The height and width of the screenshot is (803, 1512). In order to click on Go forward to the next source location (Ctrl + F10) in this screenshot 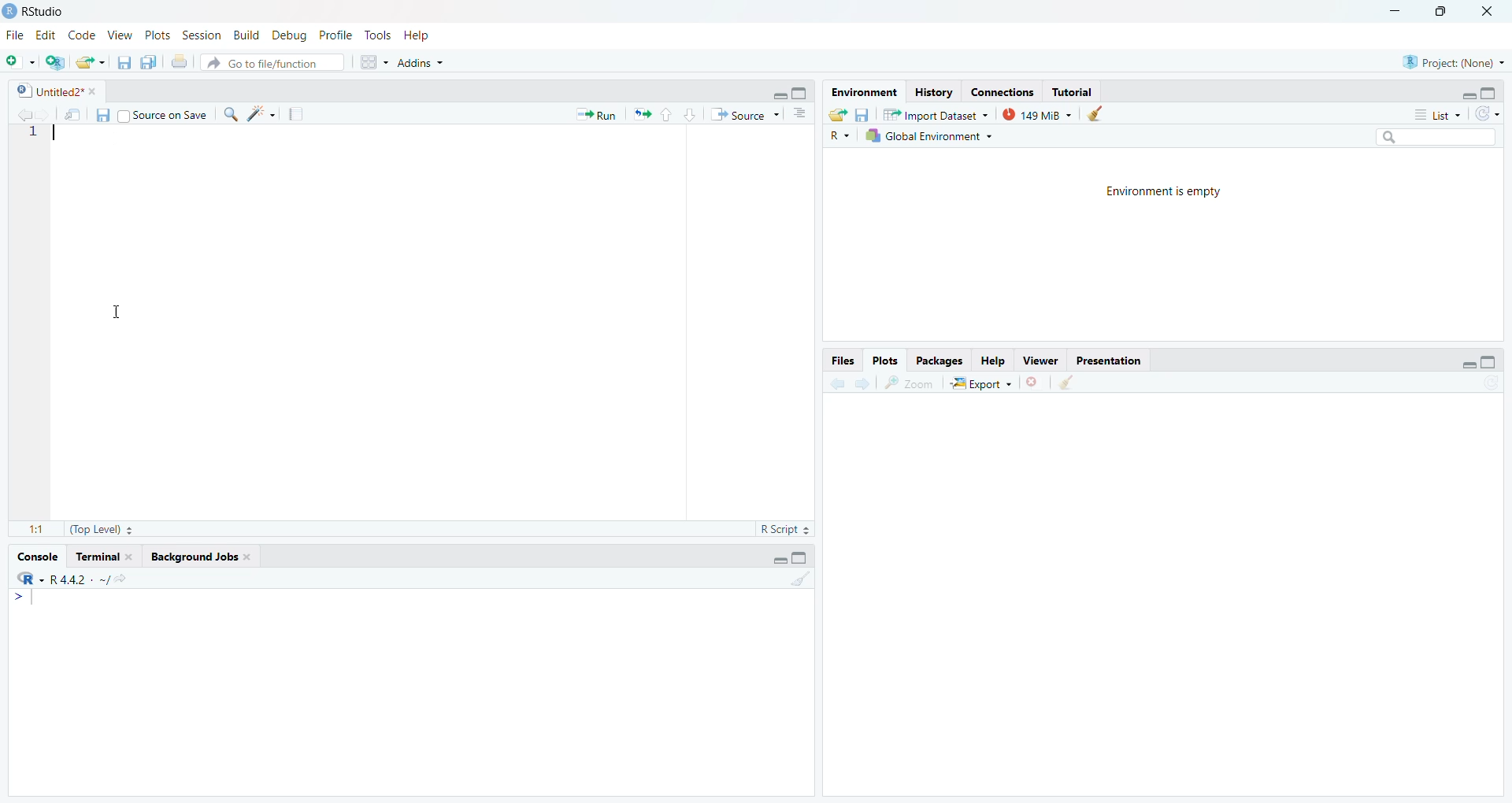, I will do `click(44, 113)`.